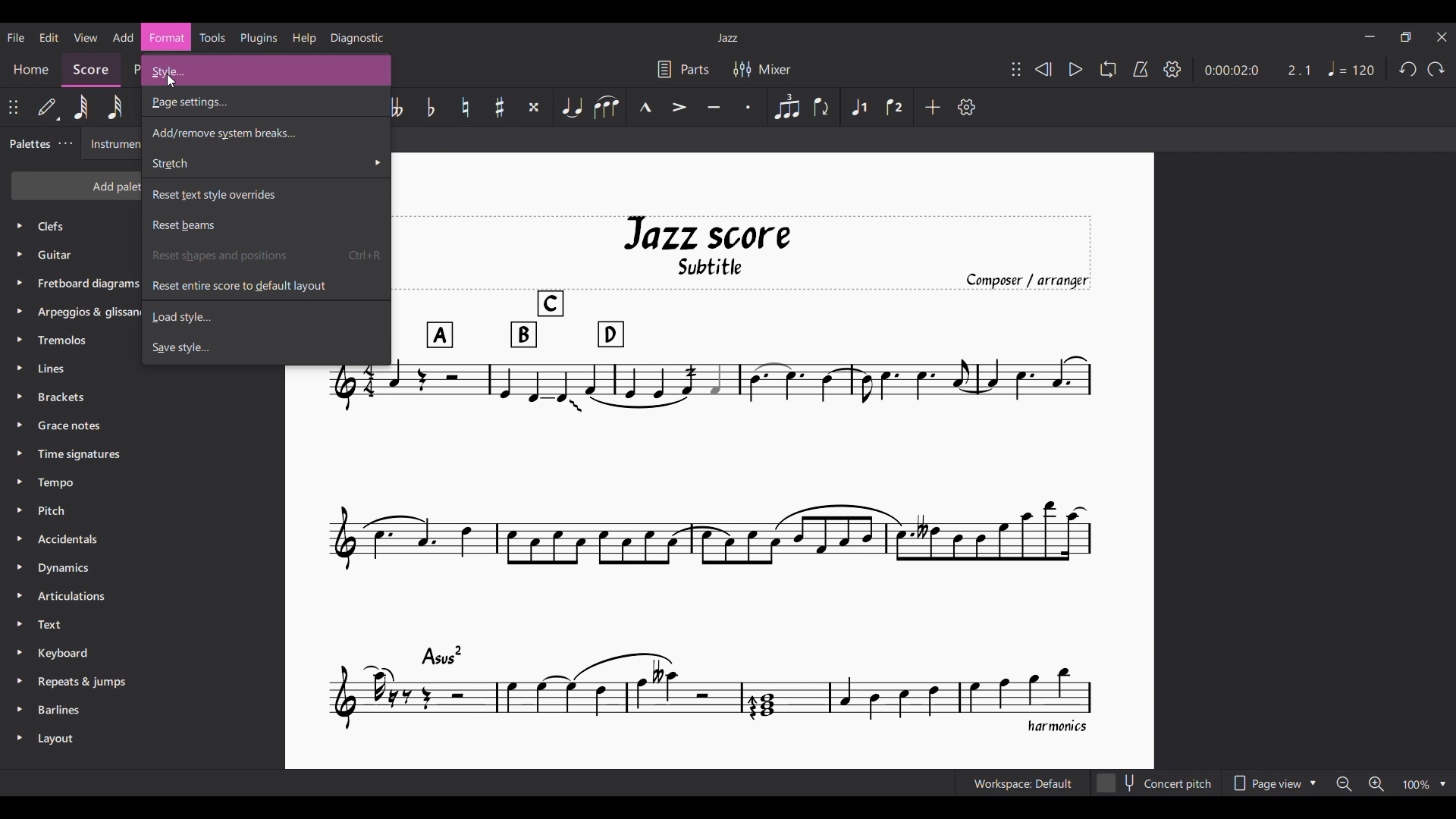 The width and height of the screenshot is (1456, 819). I want to click on Layout, so click(55, 740).